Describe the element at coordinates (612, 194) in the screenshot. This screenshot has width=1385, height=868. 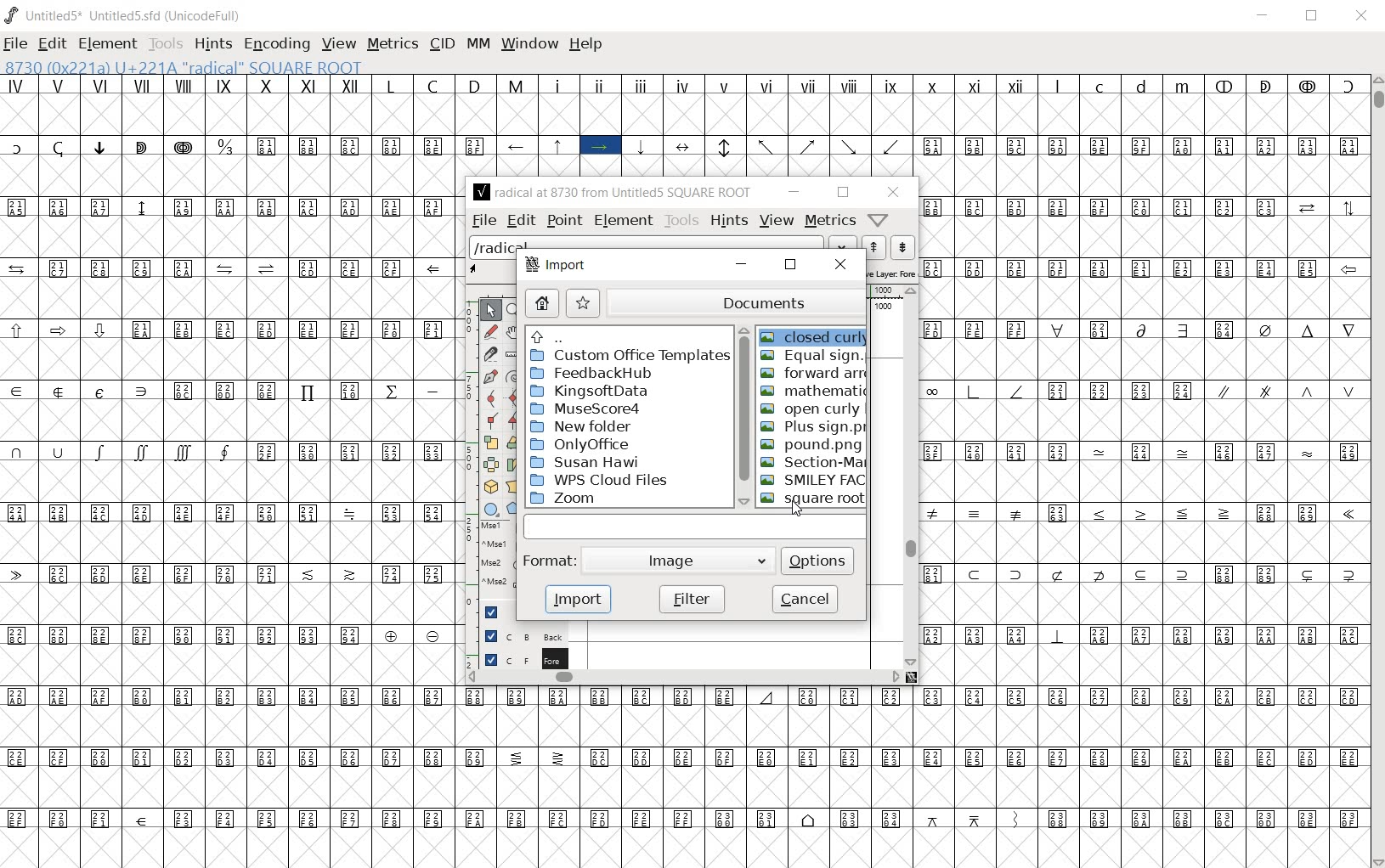
I see `radical at 8730 from Untitled5 SQUARE ROOT` at that location.